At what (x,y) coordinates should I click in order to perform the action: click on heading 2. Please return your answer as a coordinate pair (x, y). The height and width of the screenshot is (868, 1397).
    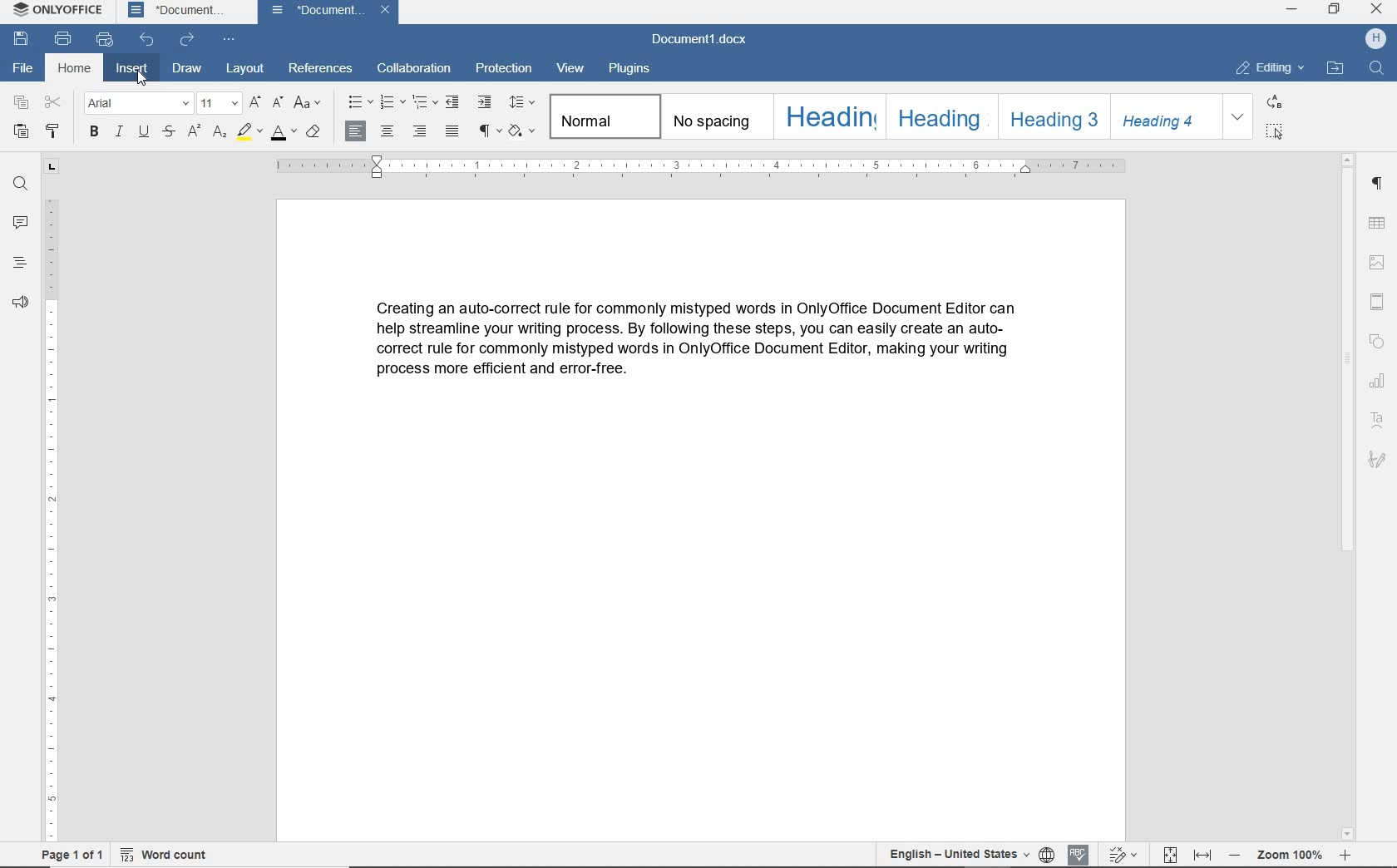
    Looking at the image, I should click on (940, 117).